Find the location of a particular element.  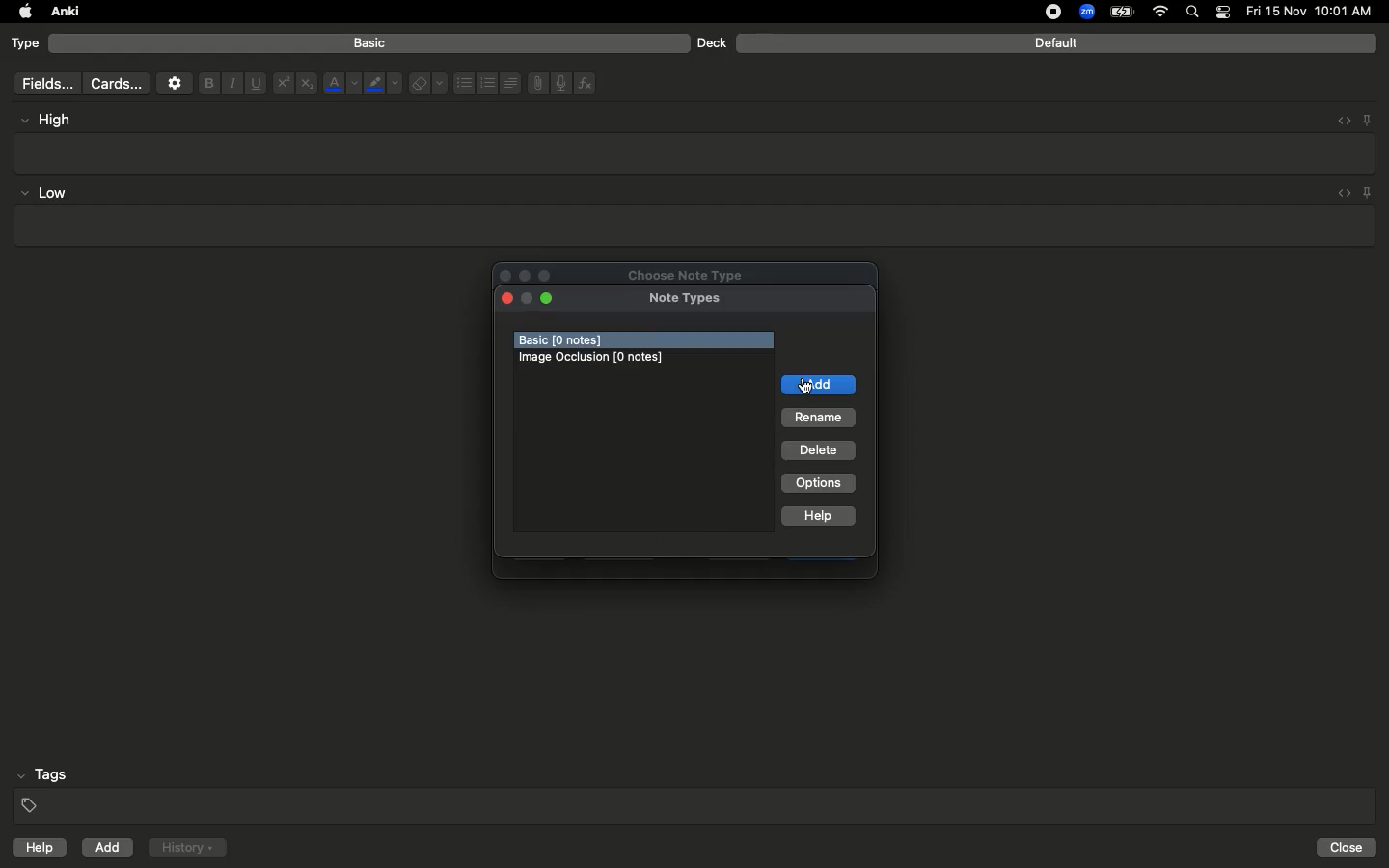

date and time is located at coordinates (1315, 11).